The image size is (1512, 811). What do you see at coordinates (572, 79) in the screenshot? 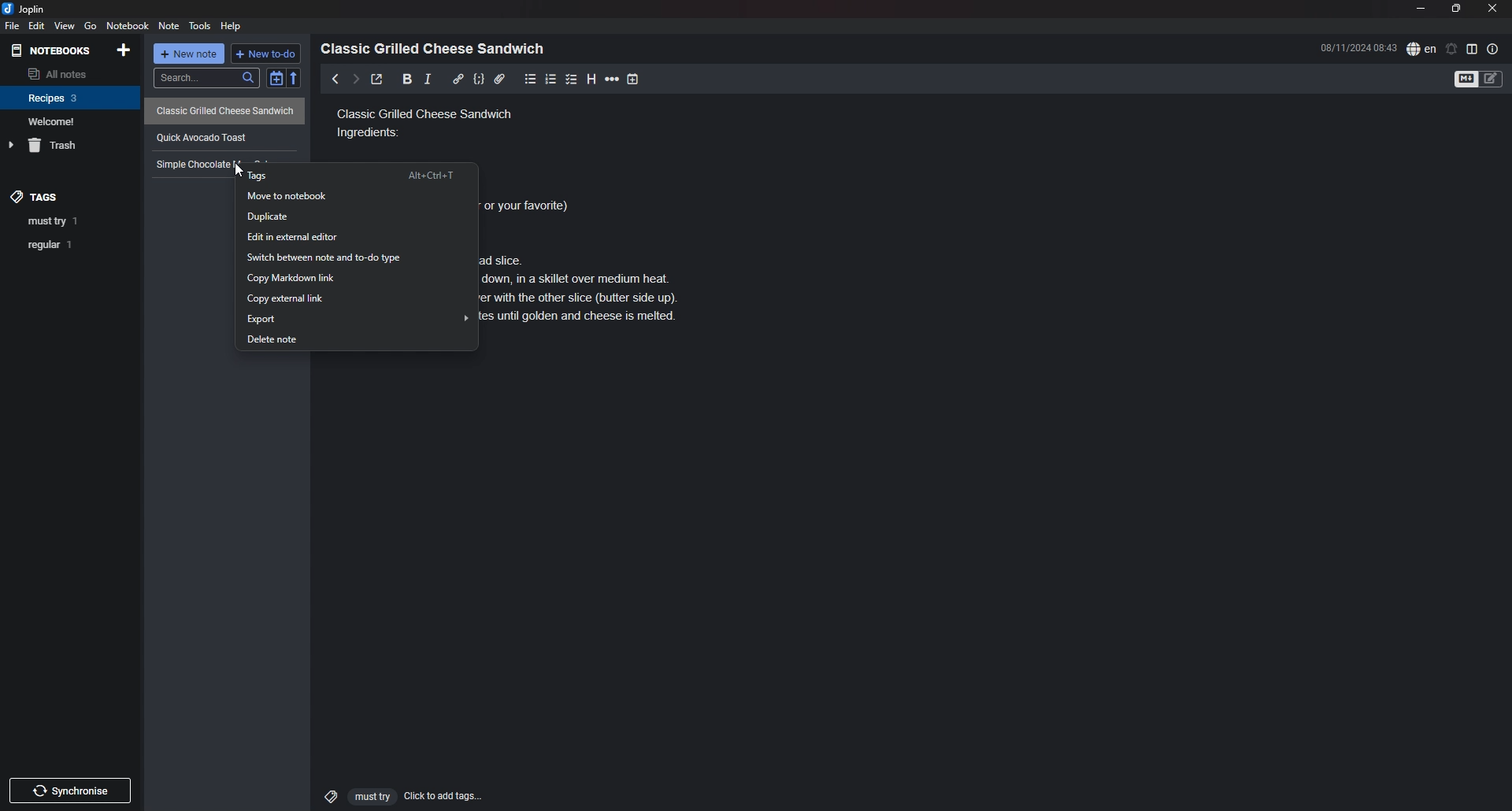
I see `checkbox` at bounding box center [572, 79].